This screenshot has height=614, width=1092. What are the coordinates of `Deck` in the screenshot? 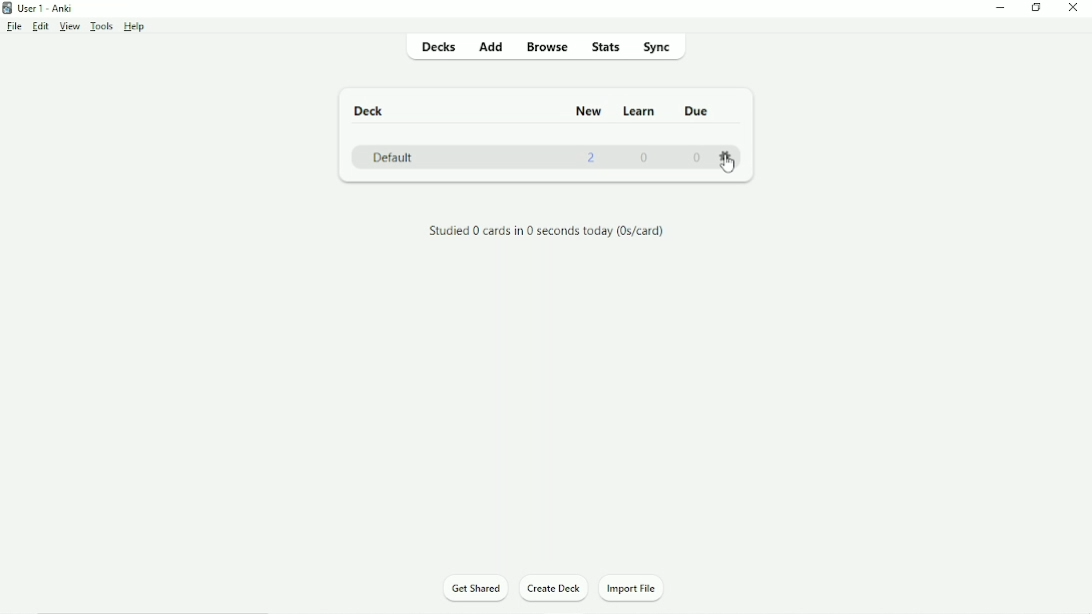 It's located at (368, 109).